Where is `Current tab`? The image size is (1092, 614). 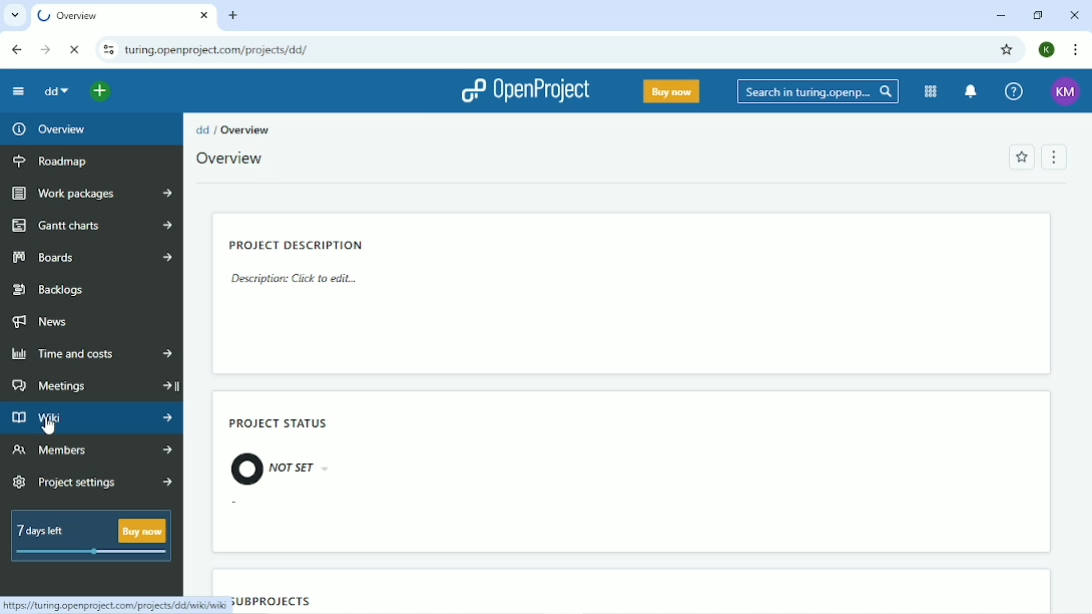
Current tab is located at coordinates (122, 16).